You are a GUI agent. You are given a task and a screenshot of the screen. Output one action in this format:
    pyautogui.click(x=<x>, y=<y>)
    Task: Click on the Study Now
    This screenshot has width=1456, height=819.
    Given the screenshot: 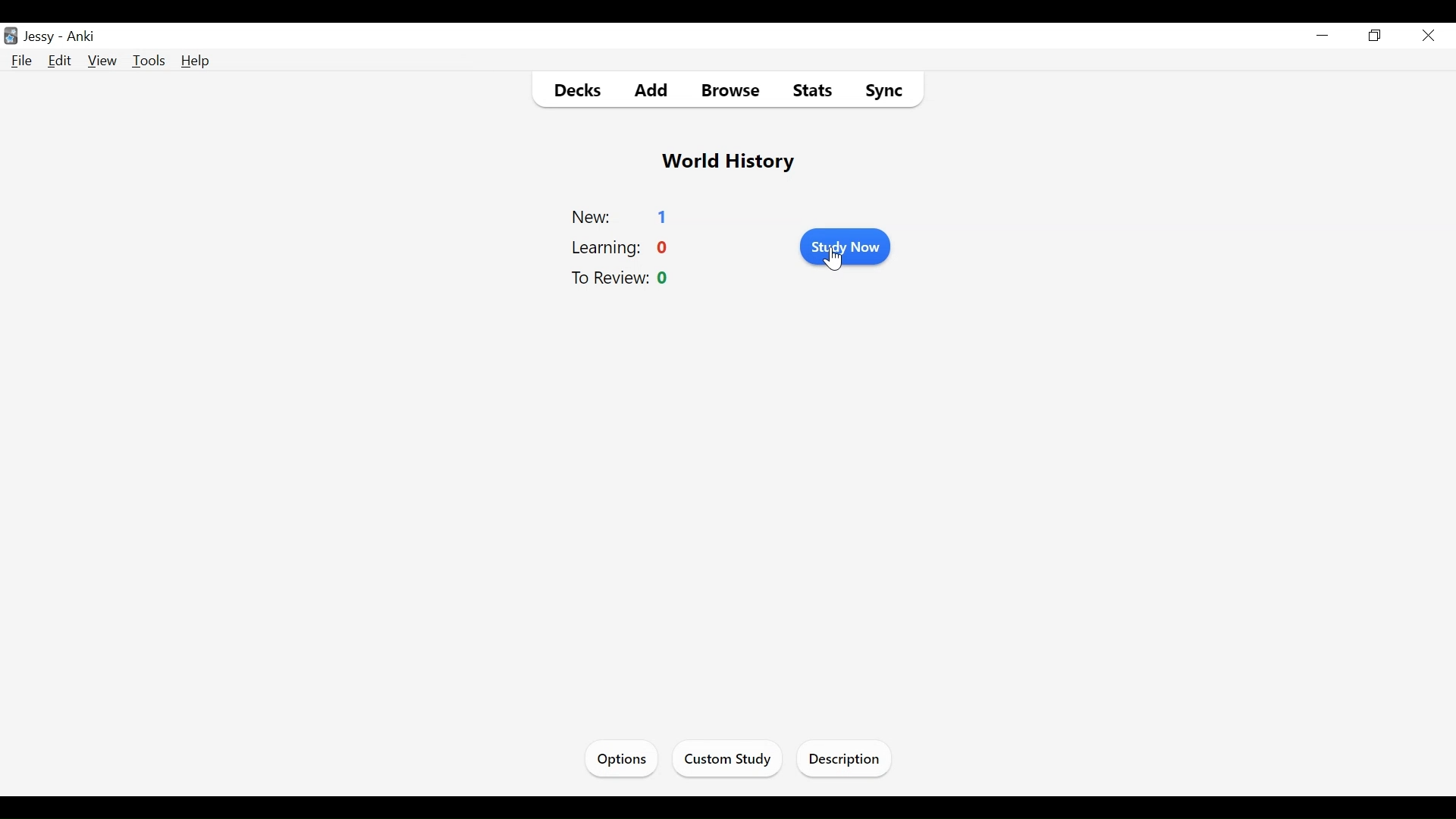 What is the action you would take?
    pyautogui.click(x=844, y=245)
    